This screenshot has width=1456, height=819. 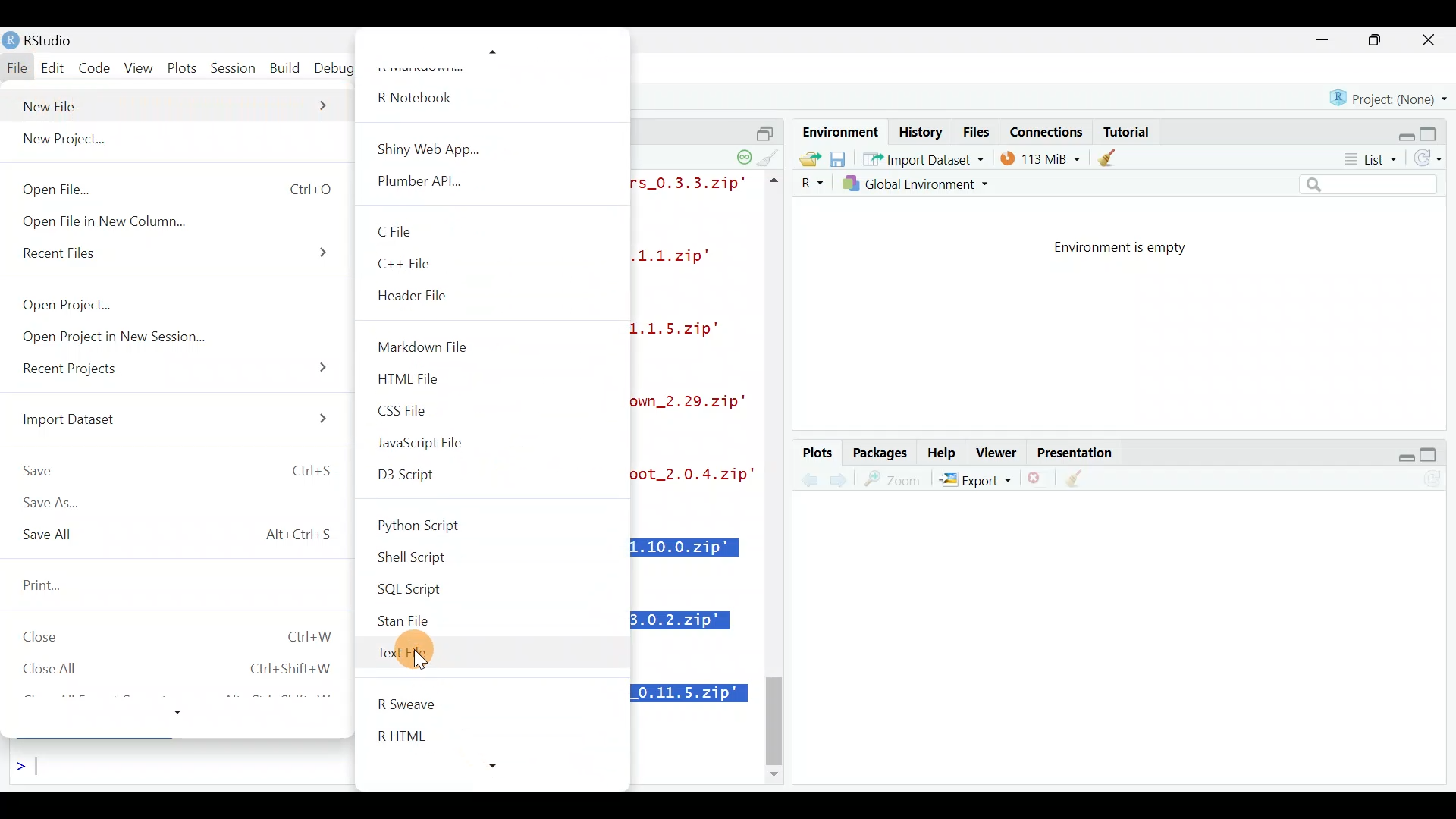 What do you see at coordinates (174, 465) in the screenshot?
I see `Save Ctrl+S` at bounding box center [174, 465].